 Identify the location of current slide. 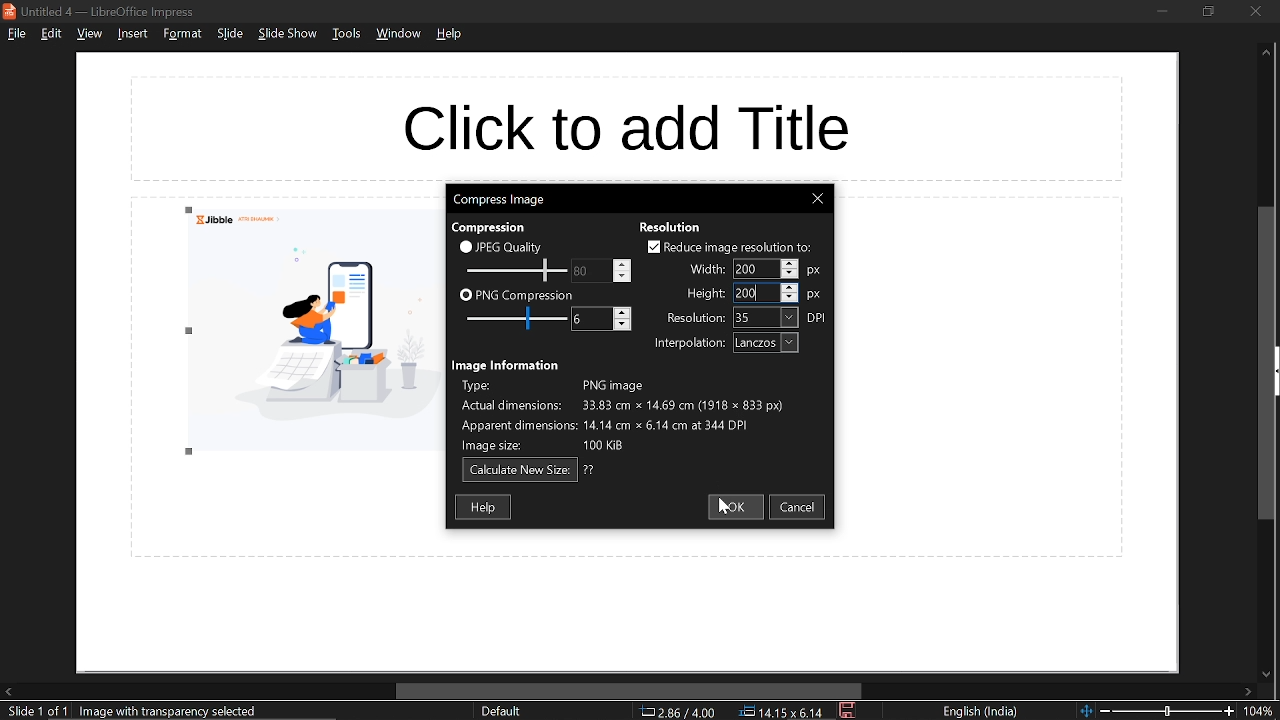
(34, 712).